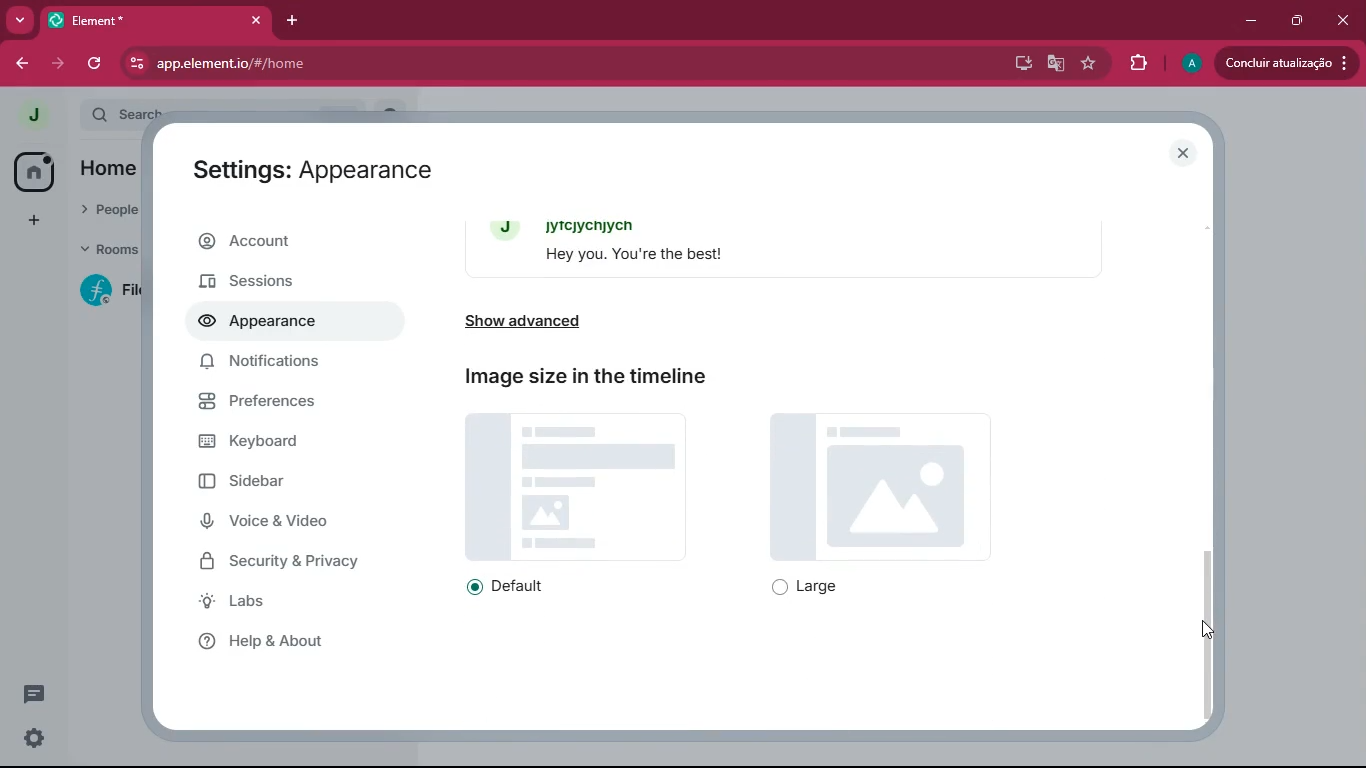  Describe the element at coordinates (19, 19) in the screenshot. I see `more` at that location.